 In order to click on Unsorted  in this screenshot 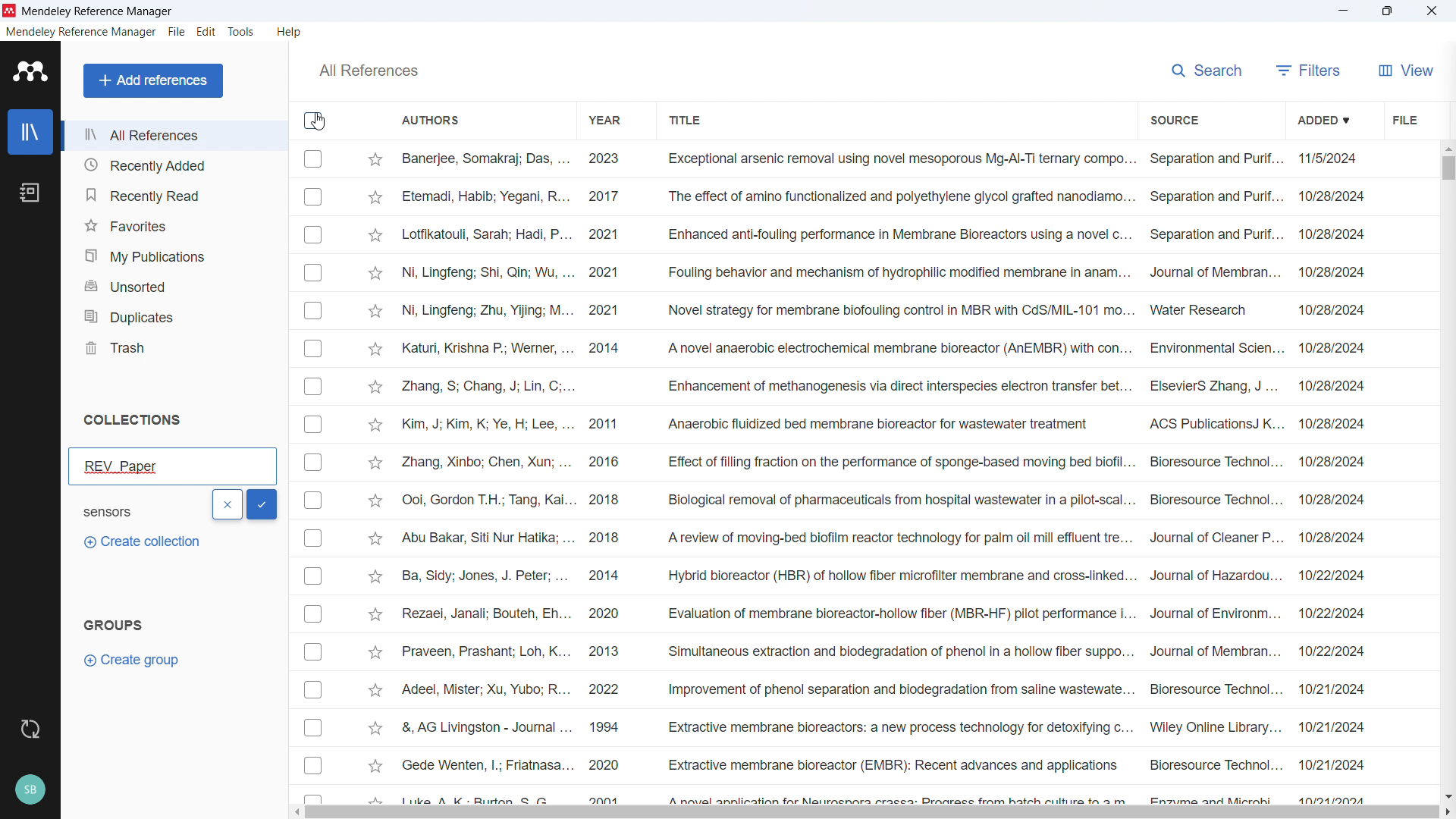, I will do `click(173, 285)`.